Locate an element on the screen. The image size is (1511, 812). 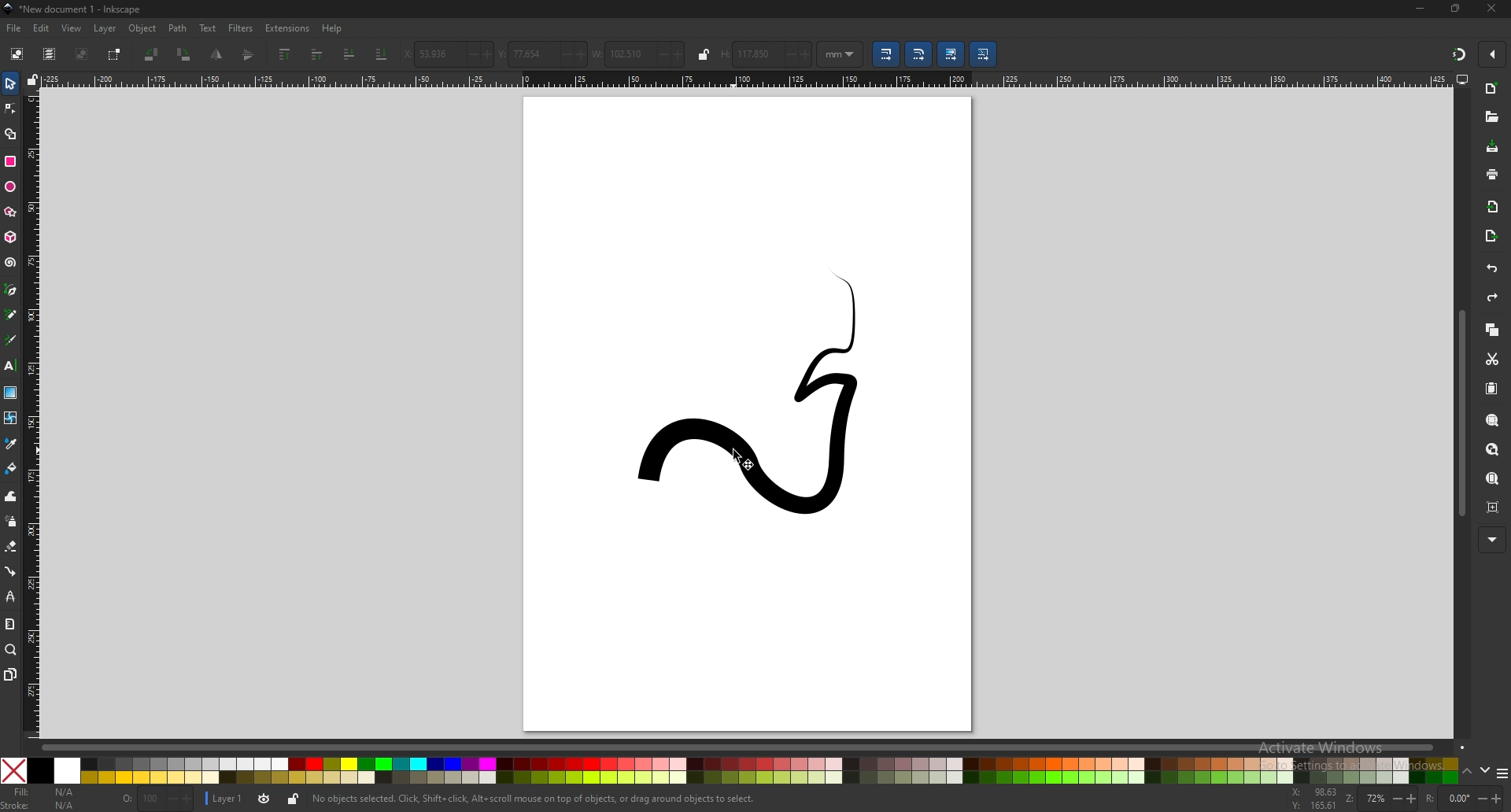
measure is located at coordinates (9, 622).